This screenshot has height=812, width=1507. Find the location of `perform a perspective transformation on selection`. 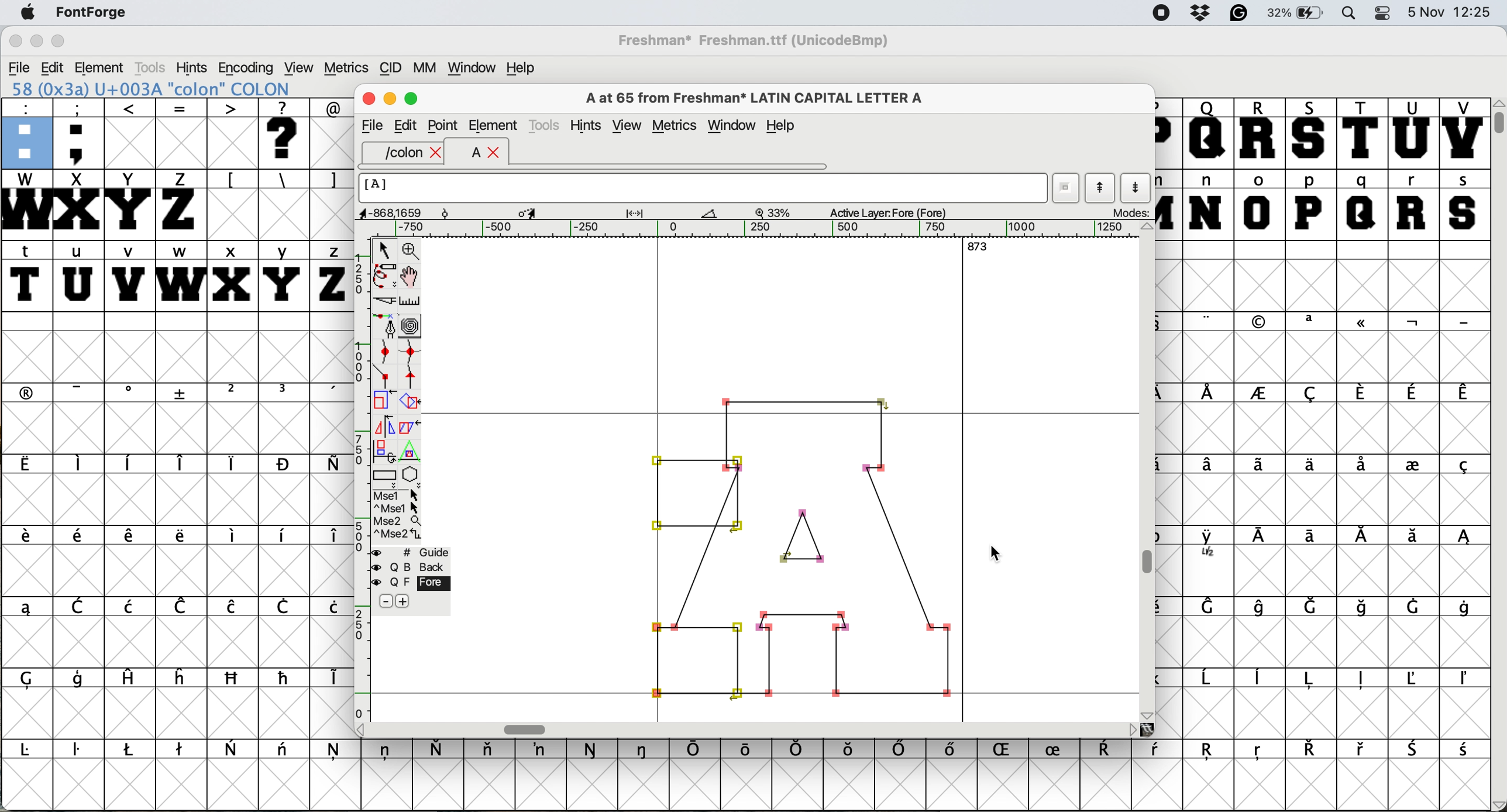

perform a perspective transformation on selection is located at coordinates (411, 448).